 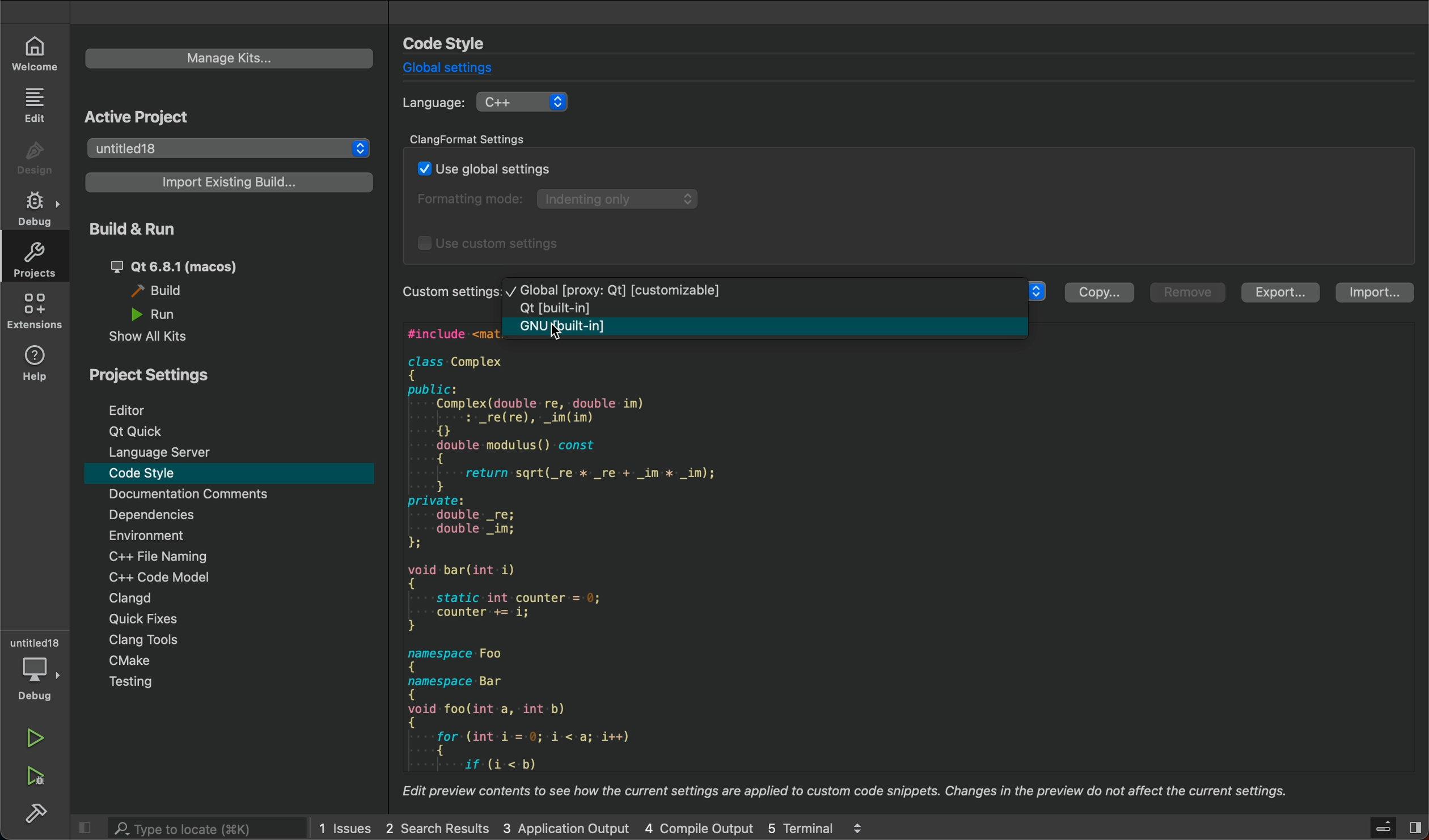 What do you see at coordinates (606, 560) in the screenshot?
I see `#include <math.h>
class Complex
{
public:
Complex(double re, double im)
: _re(re), _im(im)
{
double modulus() const
{
return sqrt(_re x _re + _im x _im);
}
private:
double _re;
double _im;
iH
void bar(int i)
{
static int counter = 0;
counter += i;
}
namespace Foo
{
namespace Bar
{
void foo(int a, int b)
{
for: (int i-=-0;-i-<-a; i++)
{
if: (i:-<:b)` at bounding box center [606, 560].